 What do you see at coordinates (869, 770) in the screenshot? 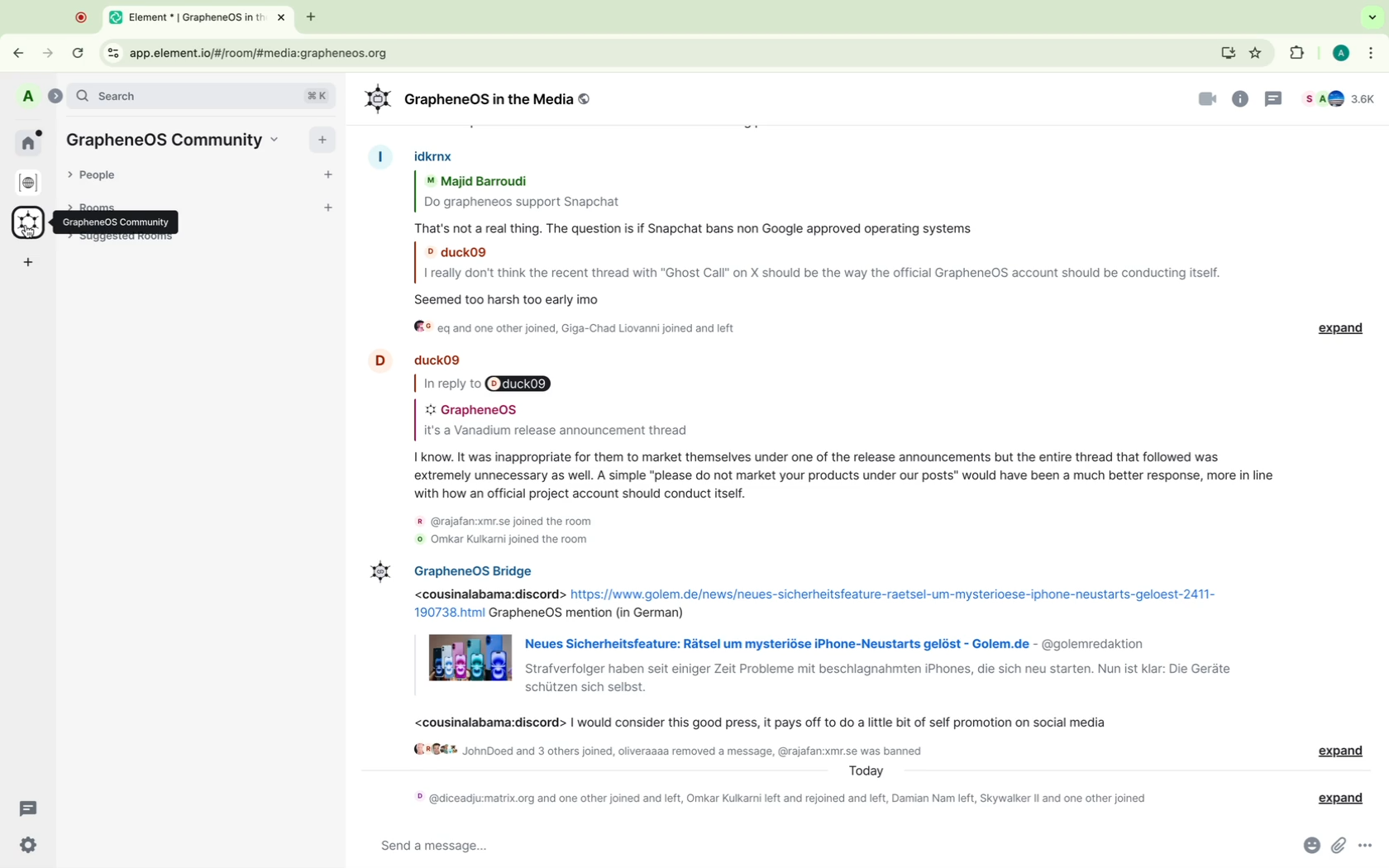
I see `today` at bounding box center [869, 770].